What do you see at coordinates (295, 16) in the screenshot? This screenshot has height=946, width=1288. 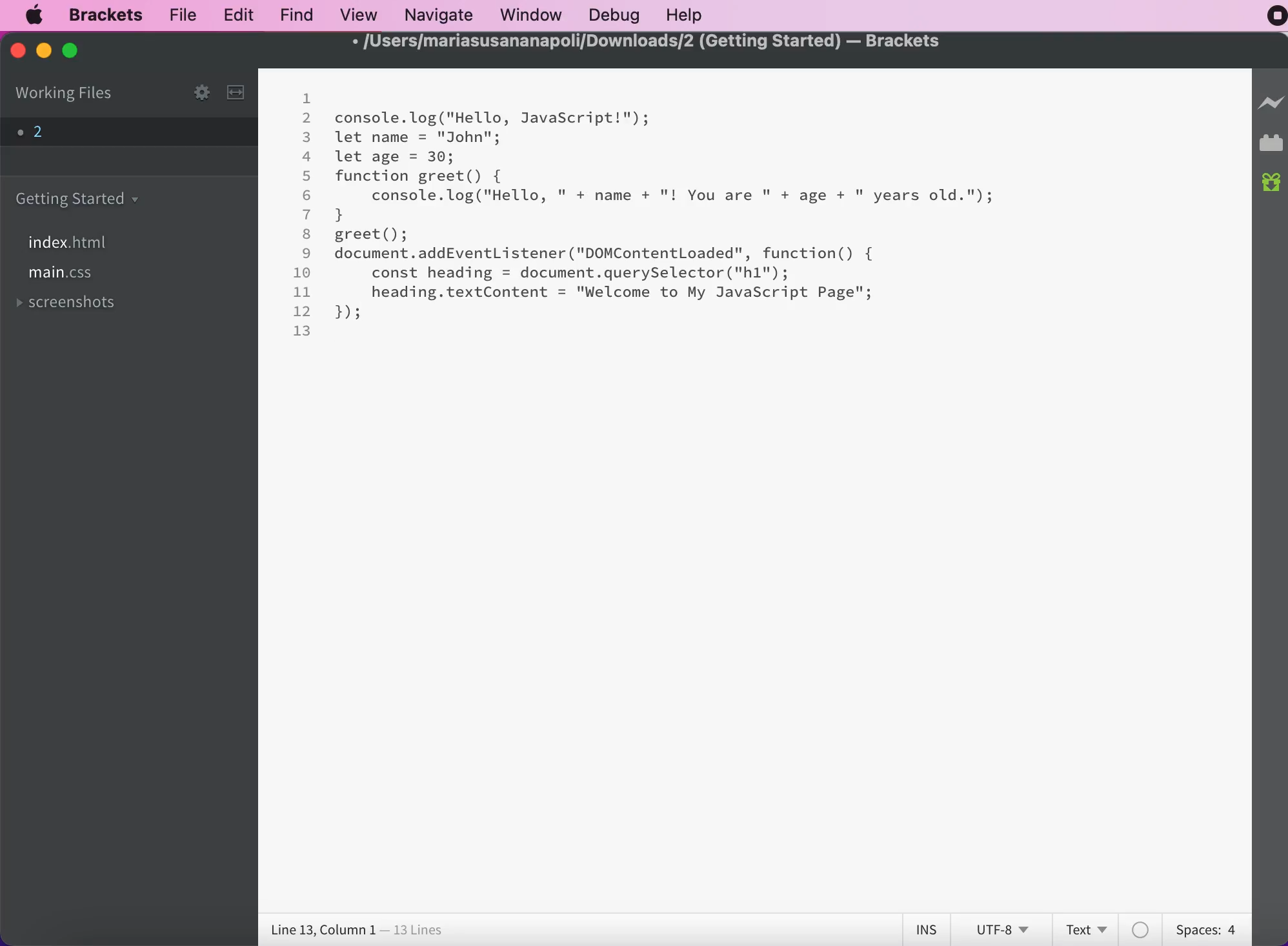 I see `find` at bounding box center [295, 16].